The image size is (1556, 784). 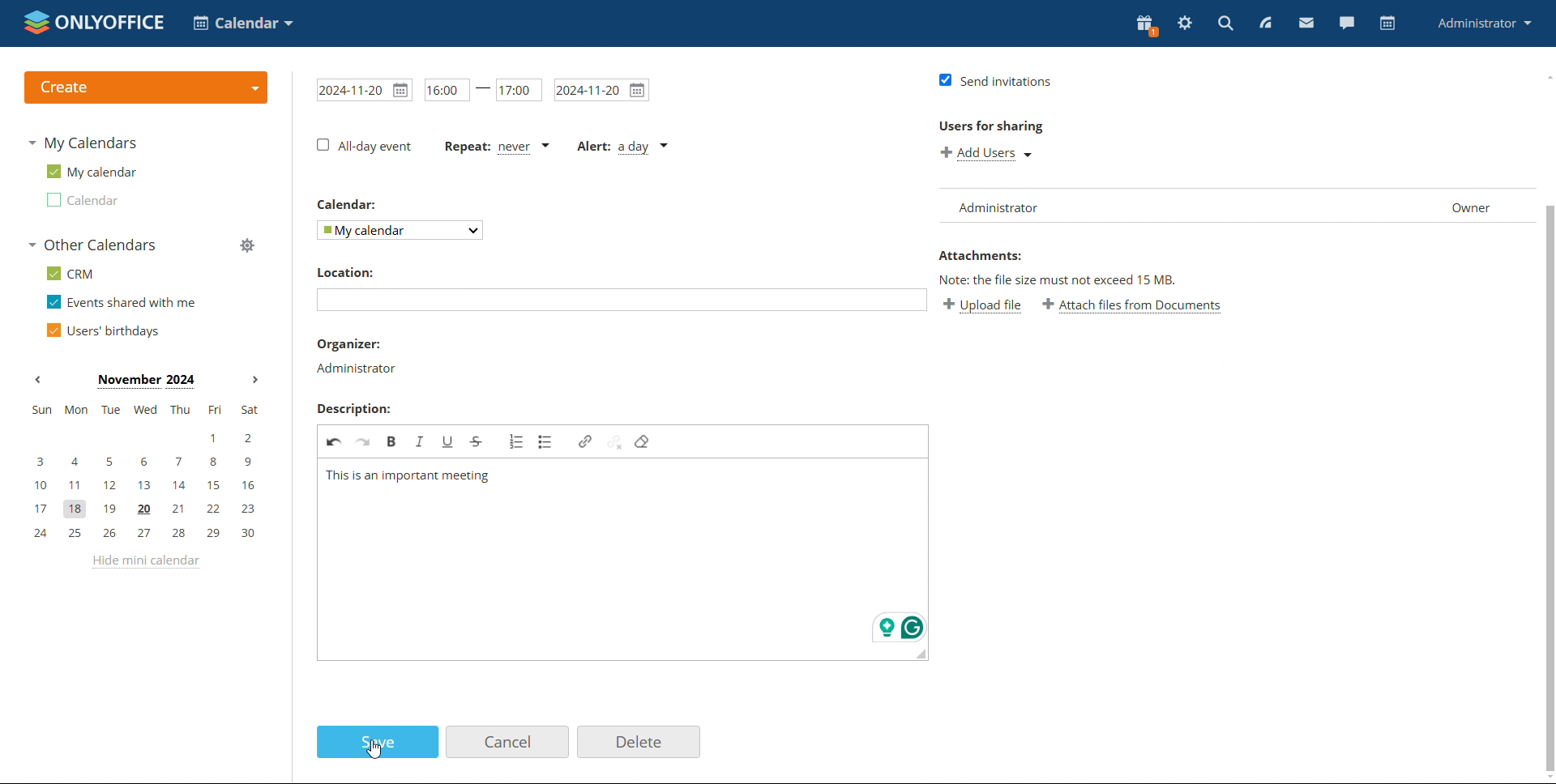 I want to click on organiser, so click(x=353, y=368).